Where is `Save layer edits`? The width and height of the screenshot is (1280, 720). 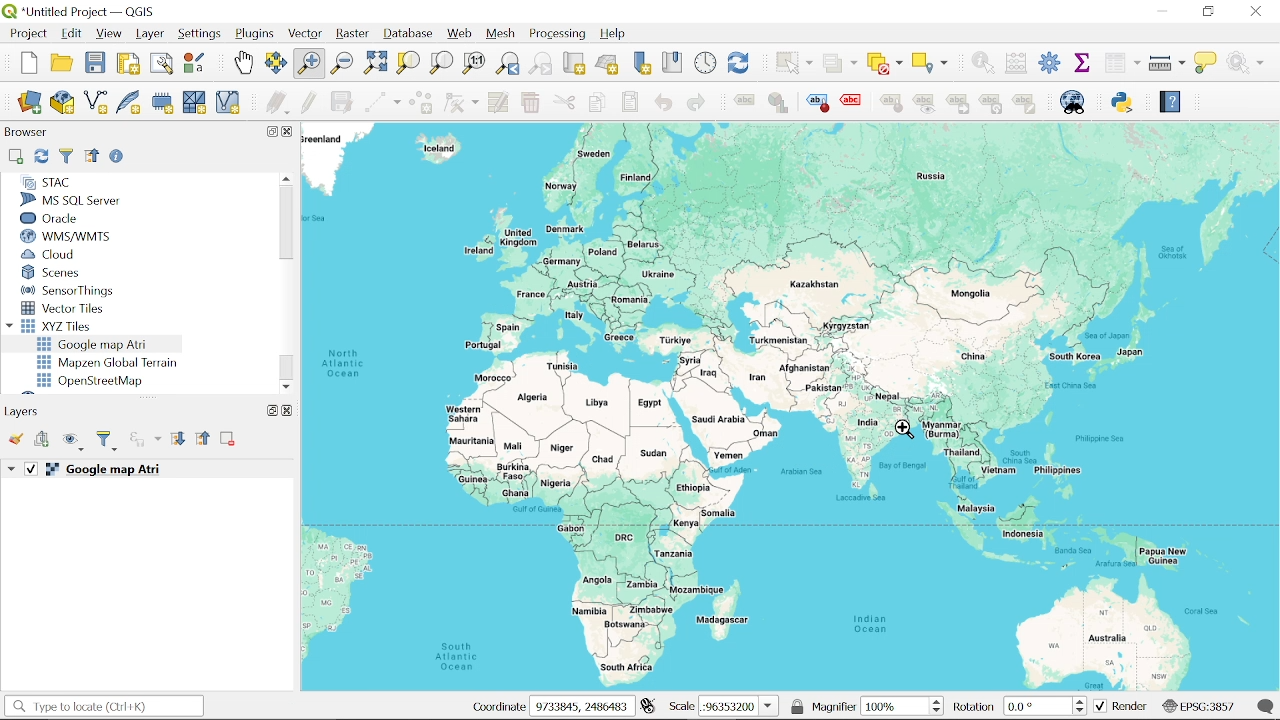 Save layer edits is located at coordinates (342, 102).